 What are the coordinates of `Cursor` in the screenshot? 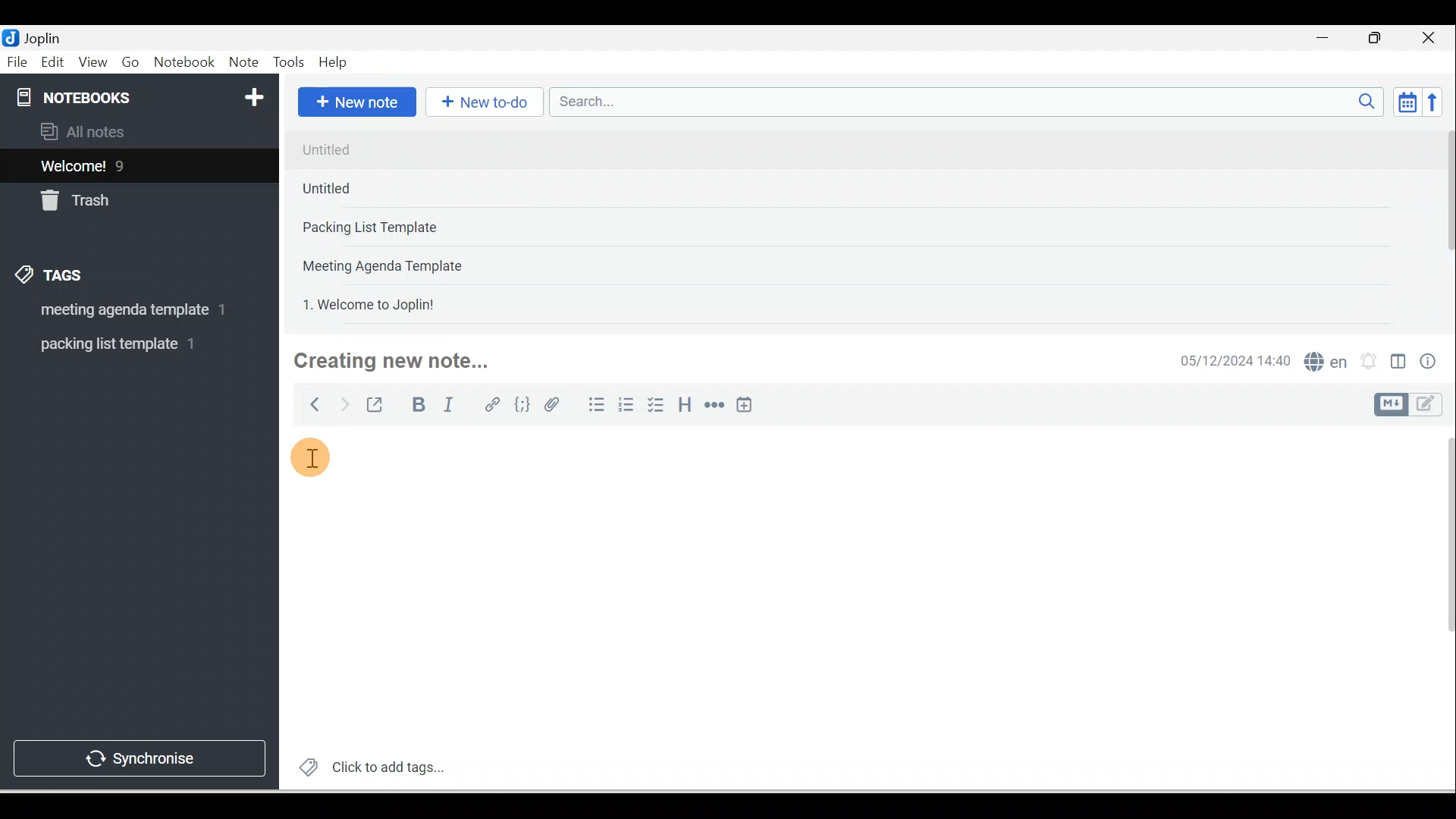 It's located at (319, 457).